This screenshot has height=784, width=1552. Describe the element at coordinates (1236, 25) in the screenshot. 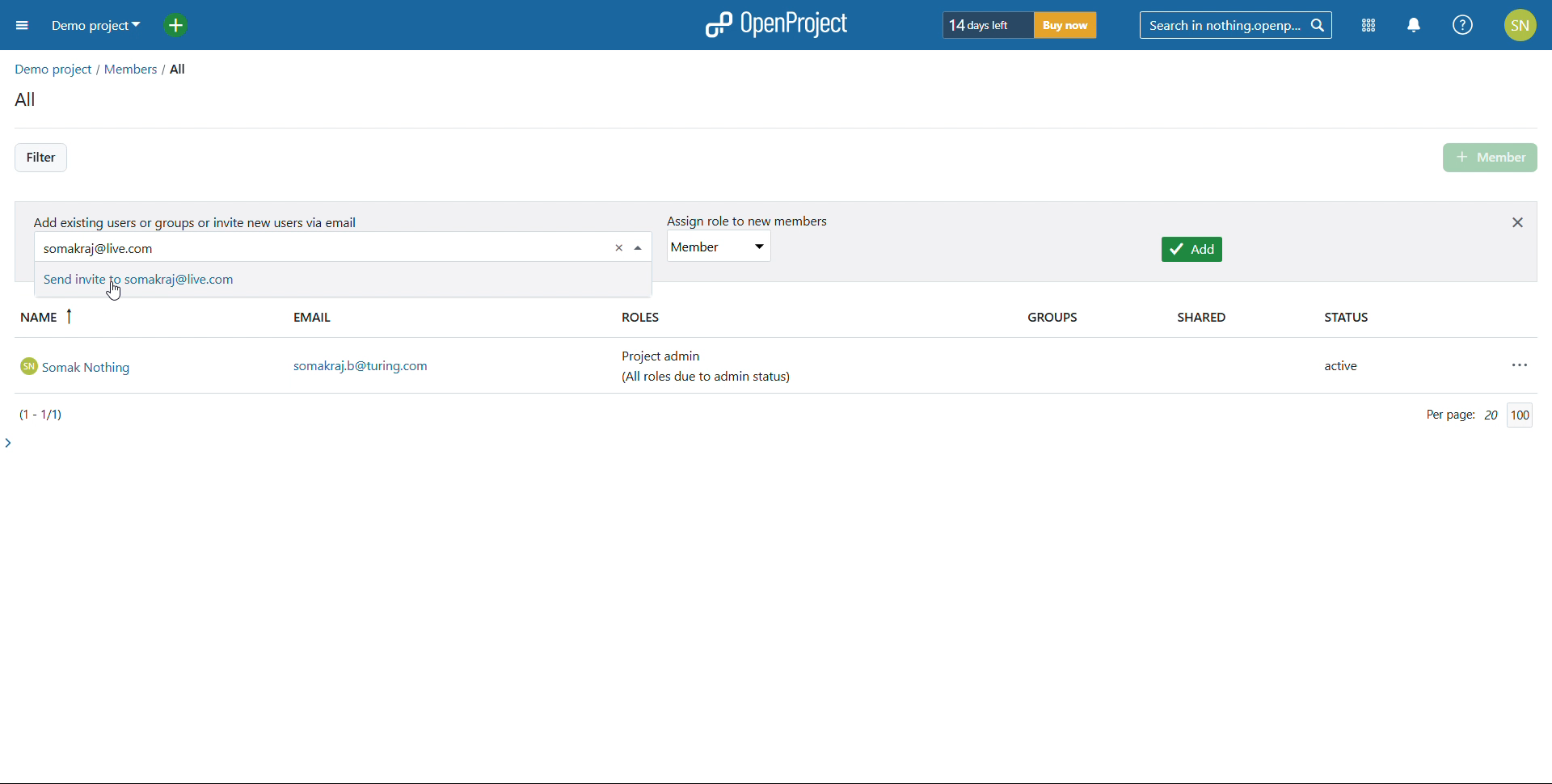

I see `search` at that location.